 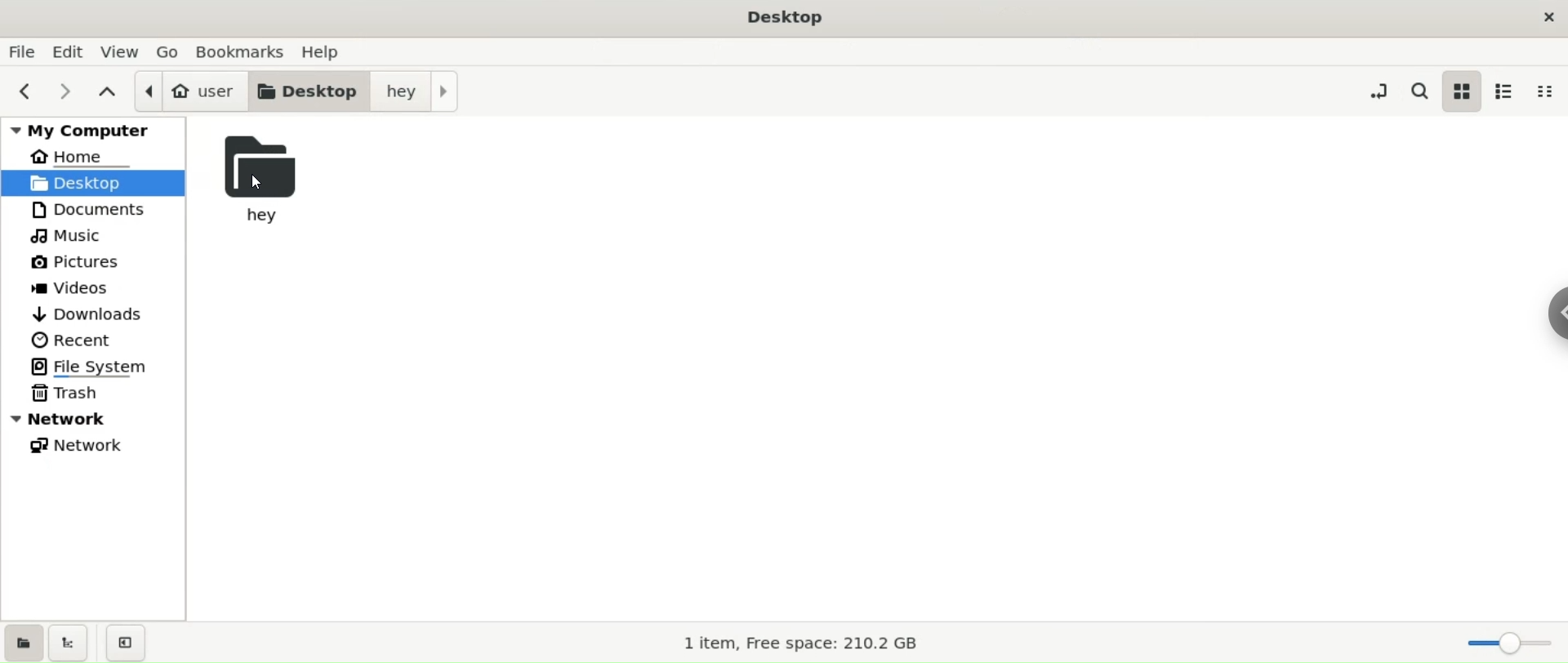 I want to click on home, so click(x=95, y=158).